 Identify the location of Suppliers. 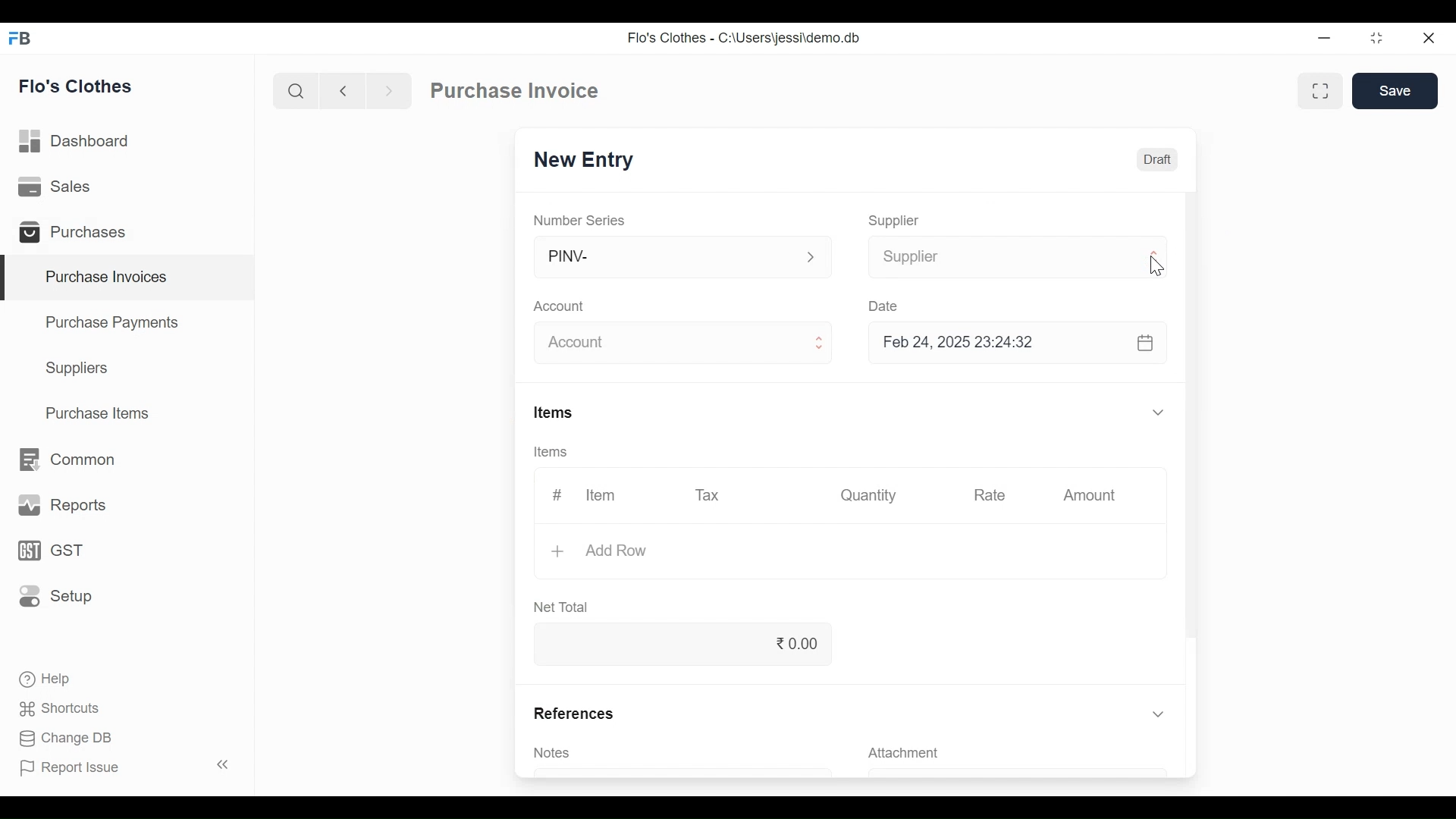
(80, 370).